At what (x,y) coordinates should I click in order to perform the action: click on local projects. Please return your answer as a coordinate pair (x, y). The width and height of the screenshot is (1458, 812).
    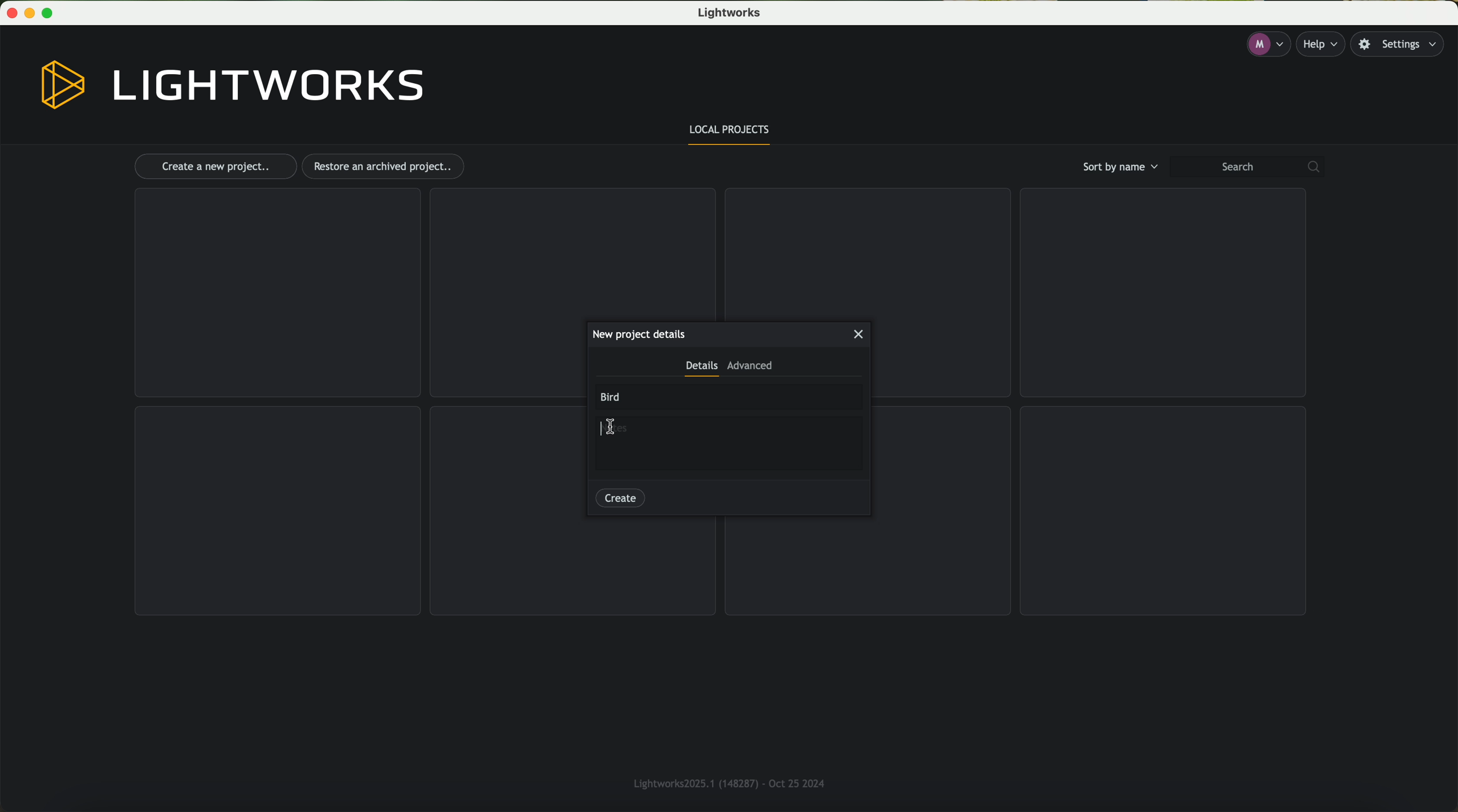
    Looking at the image, I should click on (731, 132).